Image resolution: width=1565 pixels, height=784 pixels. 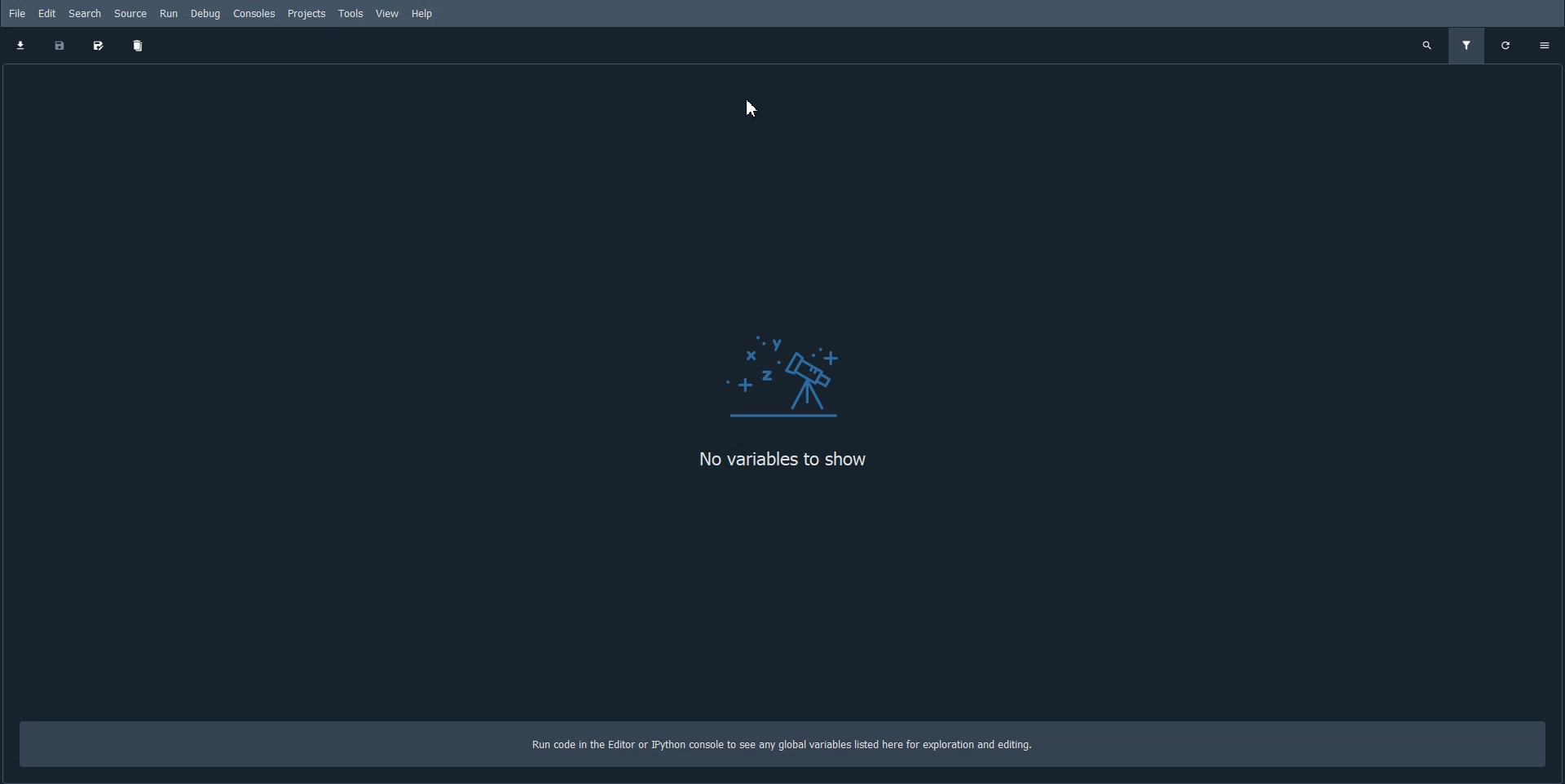 I want to click on Debug, so click(x=205, y=13).